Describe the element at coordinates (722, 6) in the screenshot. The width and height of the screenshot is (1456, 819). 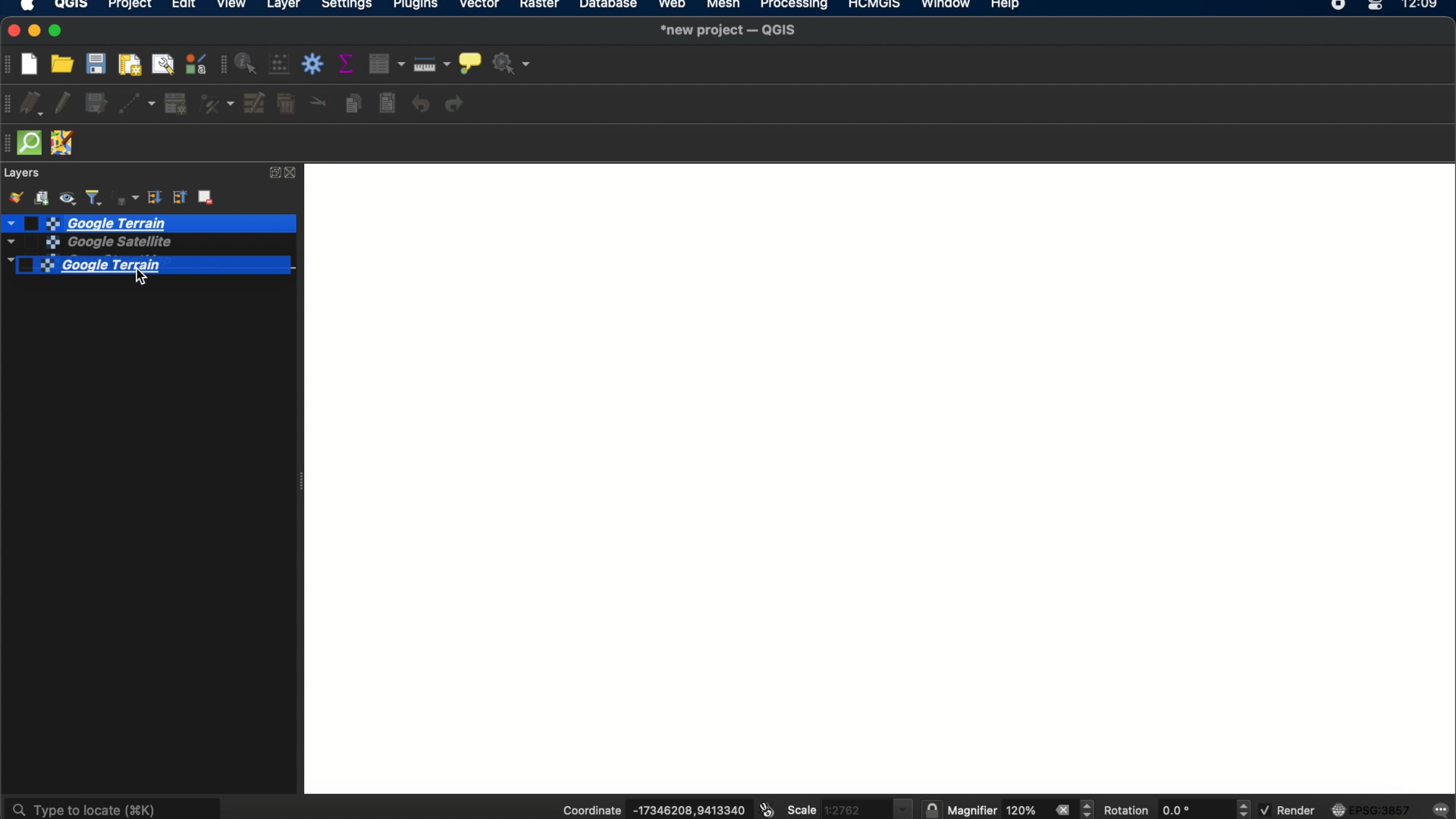
I see `mesh` at that location.